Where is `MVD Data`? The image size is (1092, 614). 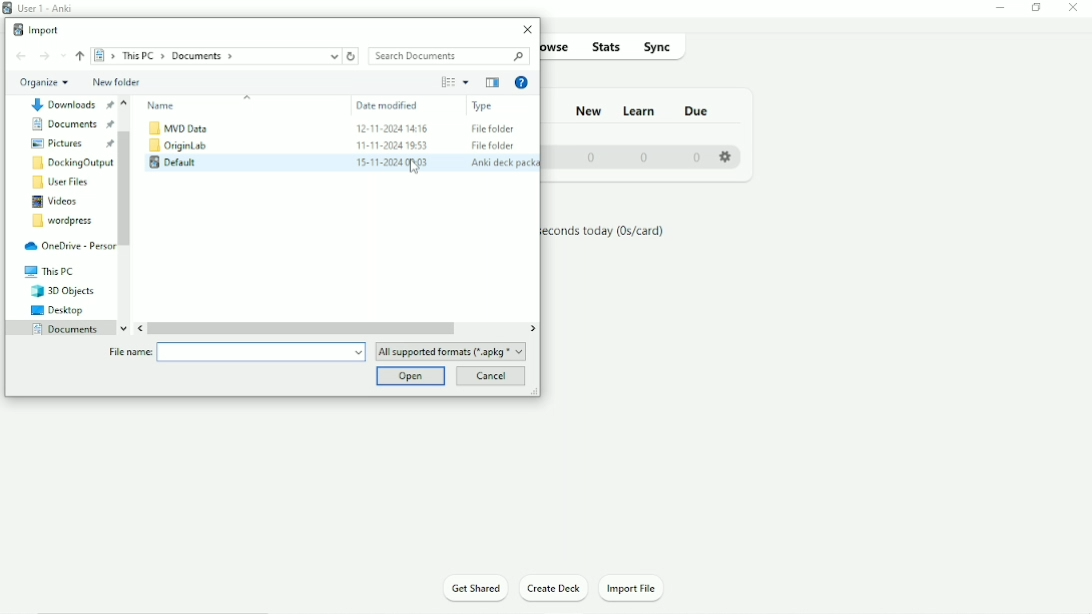 MVD Data is located at coordinates (178, 127).